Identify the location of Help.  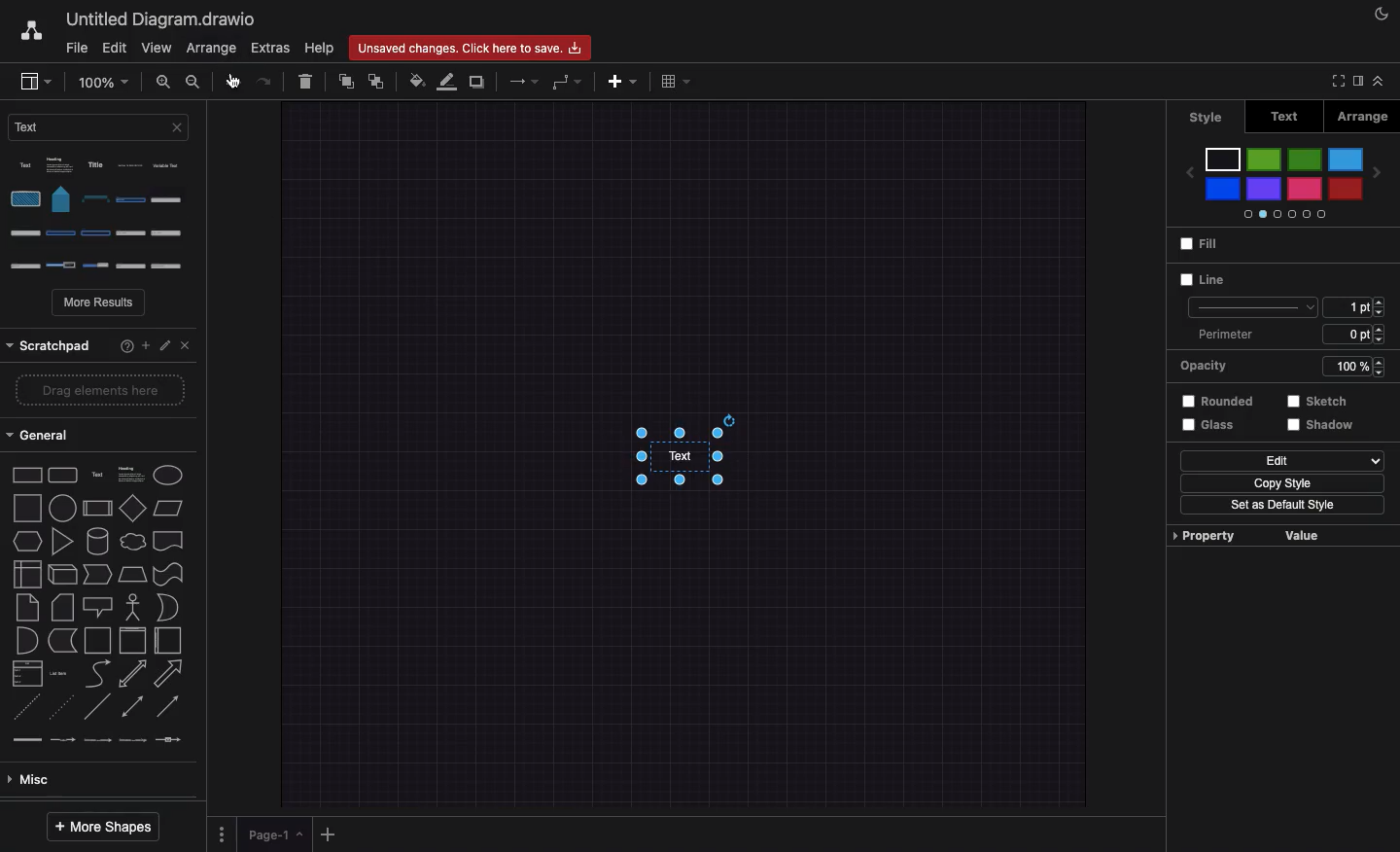
(120, 344).